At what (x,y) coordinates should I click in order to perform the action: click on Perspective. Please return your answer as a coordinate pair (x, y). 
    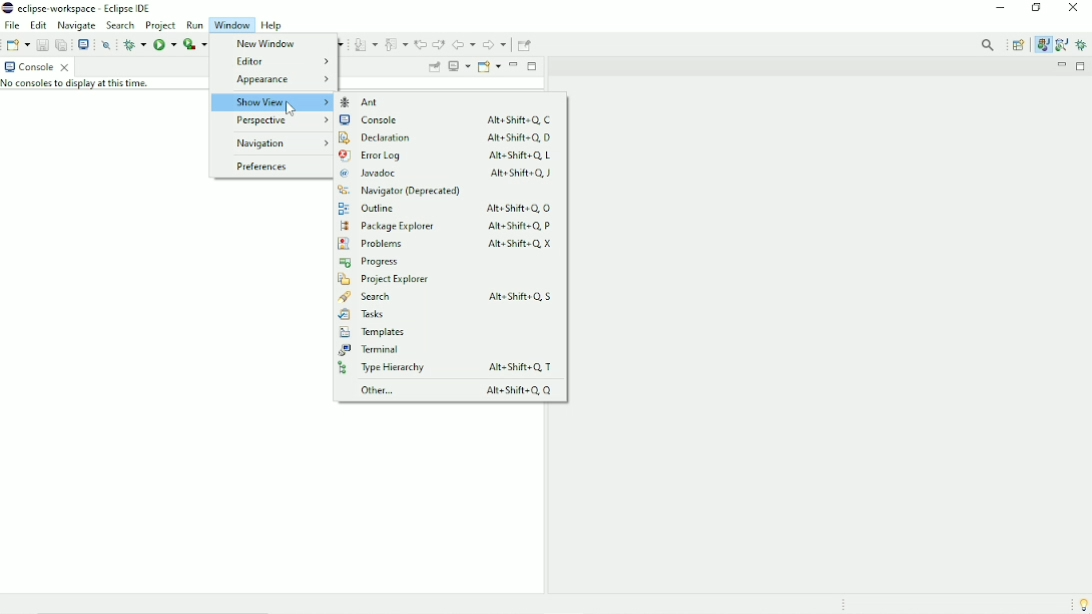
    Looking at the image, I should click on (277, 121).